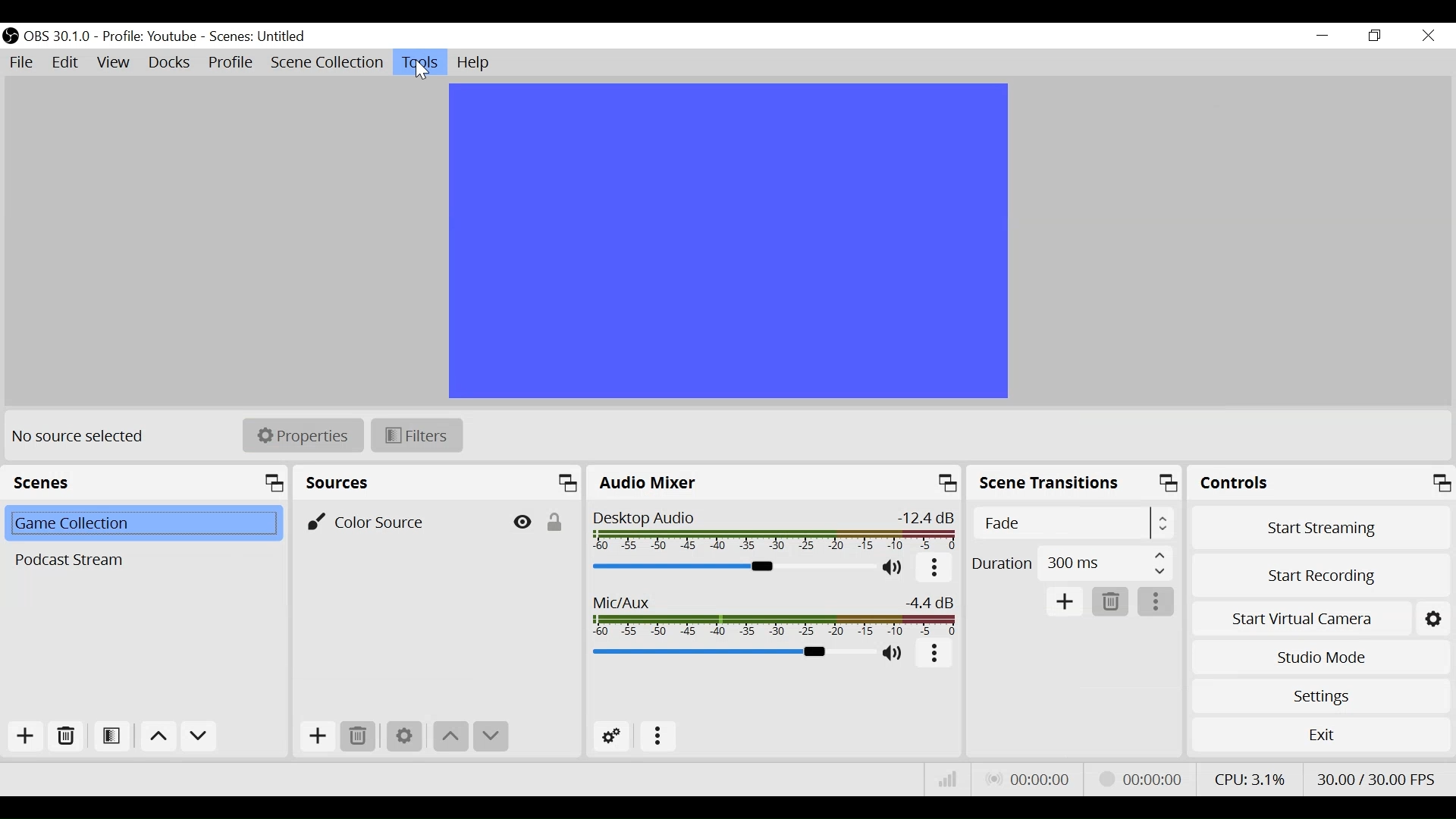 Image resolution: width=1456 pixels, height=819 pixels. Describe the element at coordinates (64, 736) in the screenshot. I see `Remove` at that location.